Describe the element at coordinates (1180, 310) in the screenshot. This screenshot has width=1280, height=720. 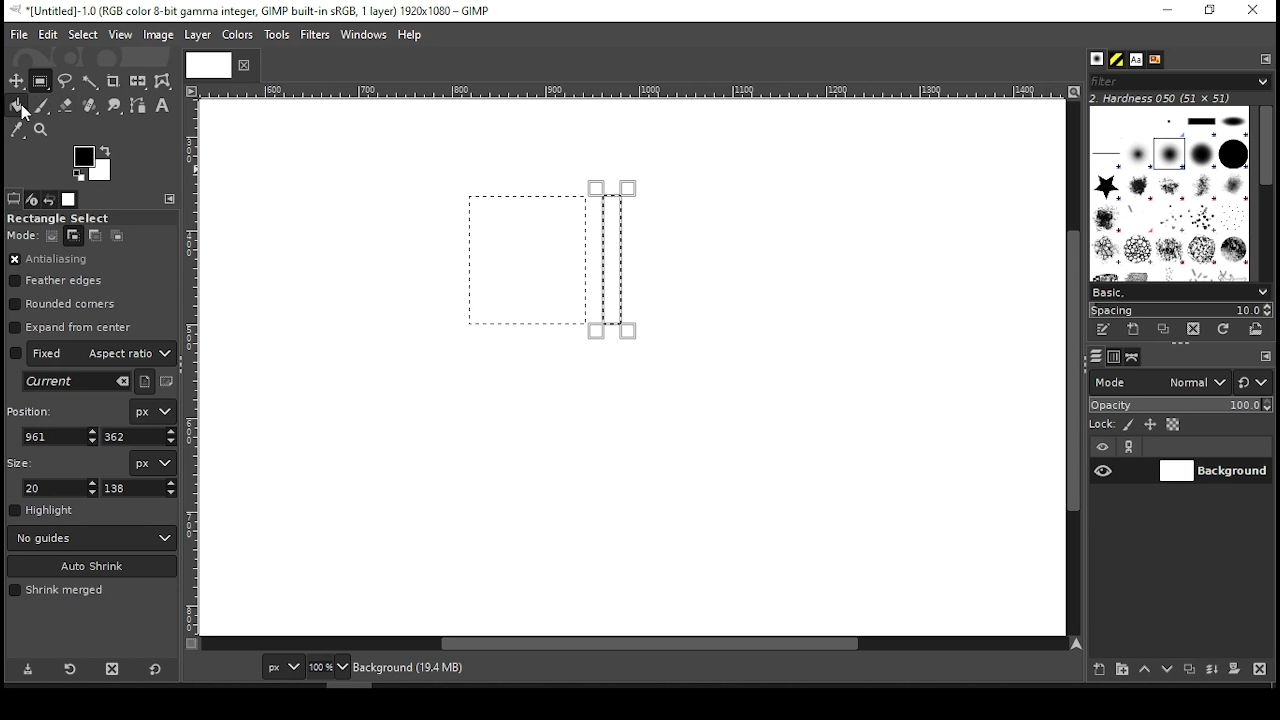
I see `spacing` at that location.